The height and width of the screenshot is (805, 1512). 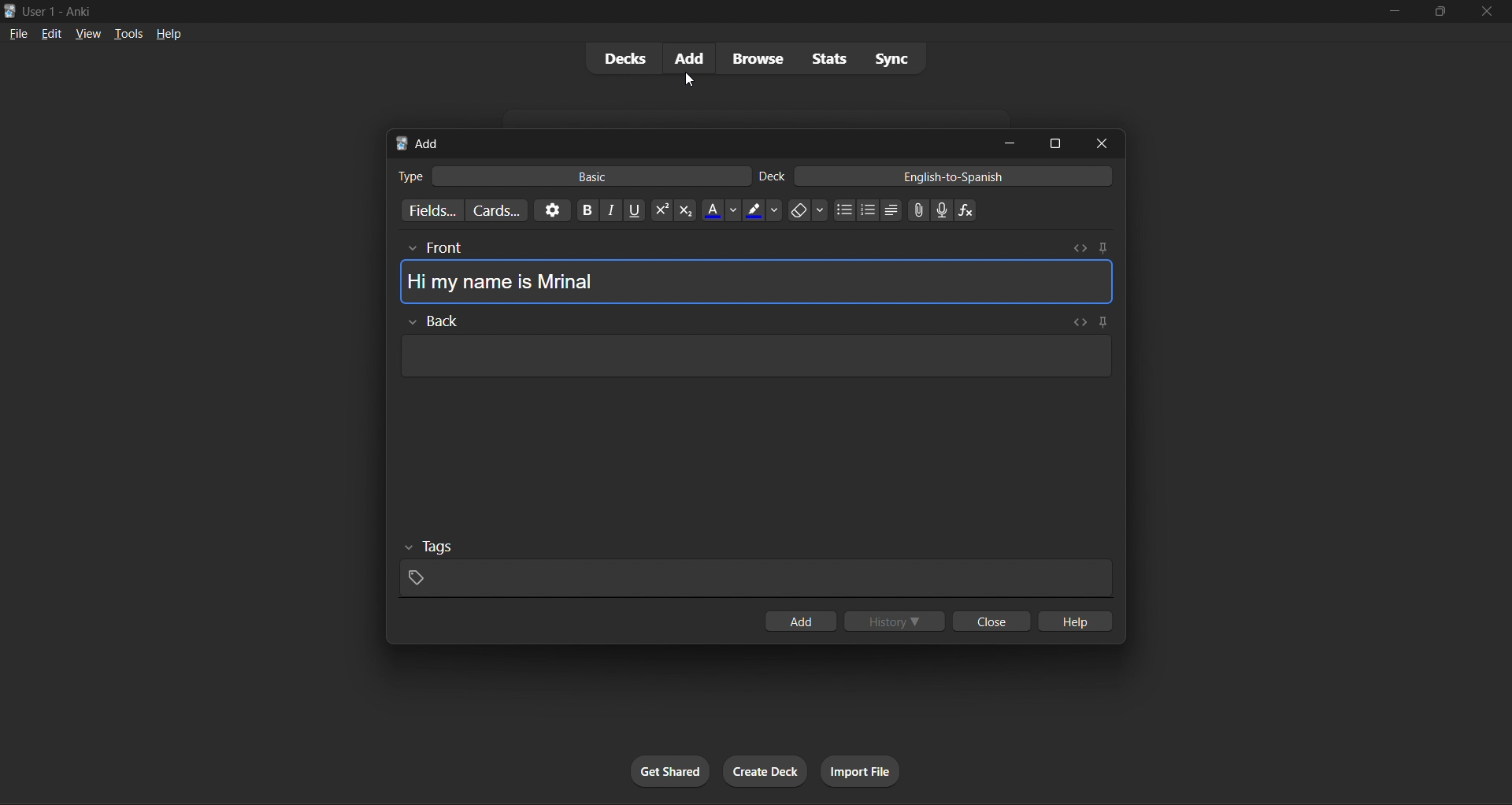 I want to click on minimize, so click(x=1007, y=143).